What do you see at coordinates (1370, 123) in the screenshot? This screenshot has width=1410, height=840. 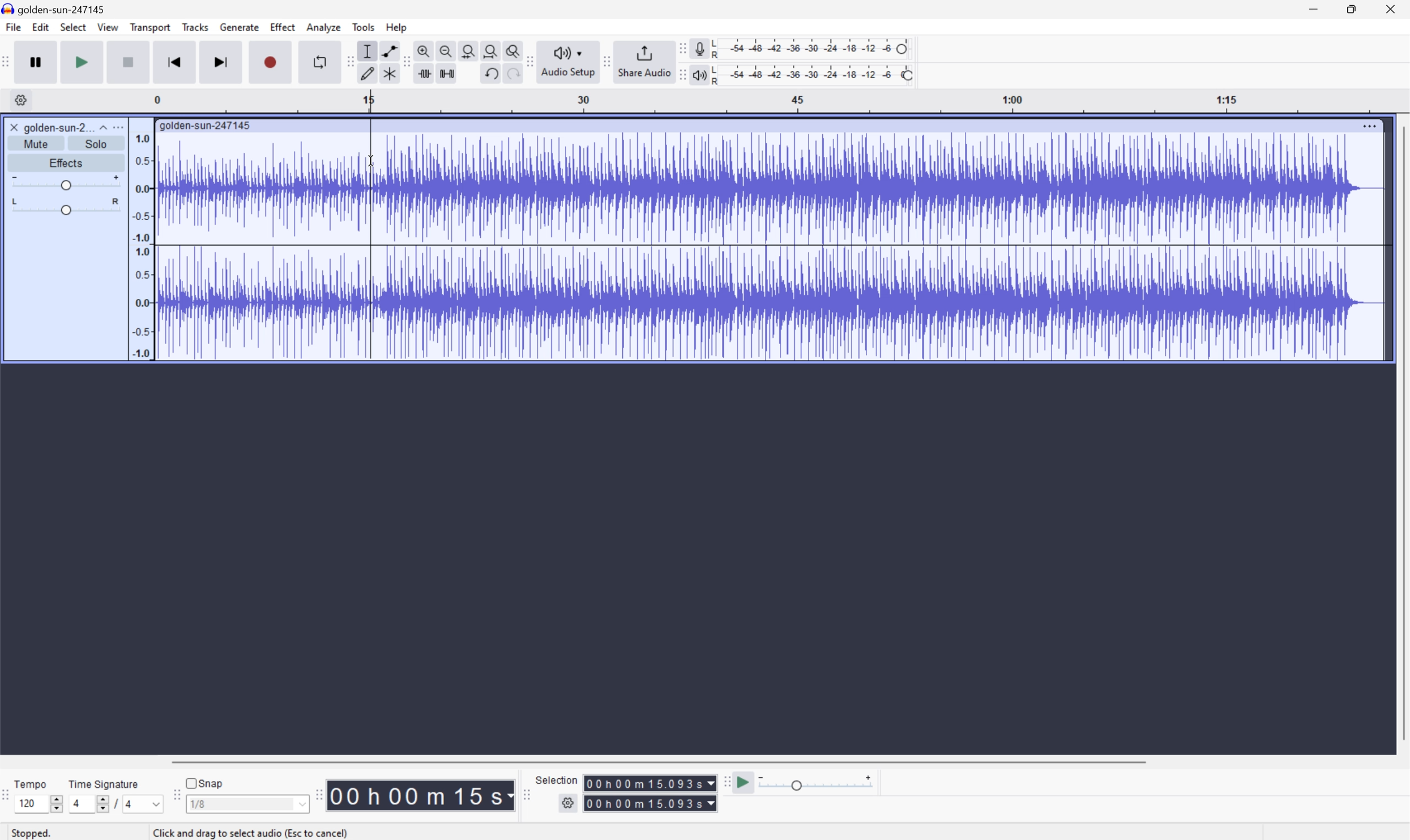 I see `More` at bounding box center [1370, 123].